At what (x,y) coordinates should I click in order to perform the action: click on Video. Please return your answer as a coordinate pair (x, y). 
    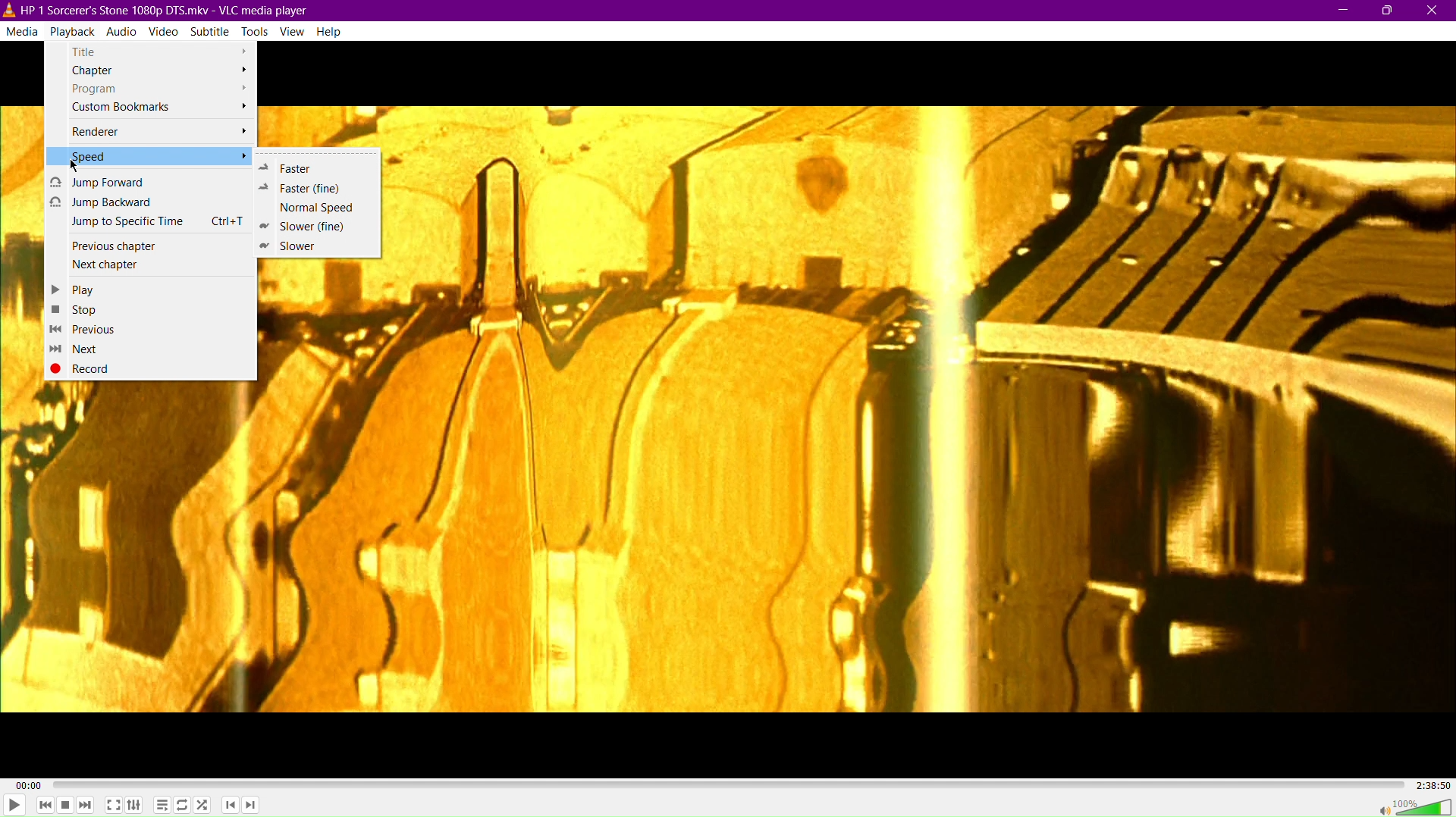
    Looking at the image, I should click on (922, 409).